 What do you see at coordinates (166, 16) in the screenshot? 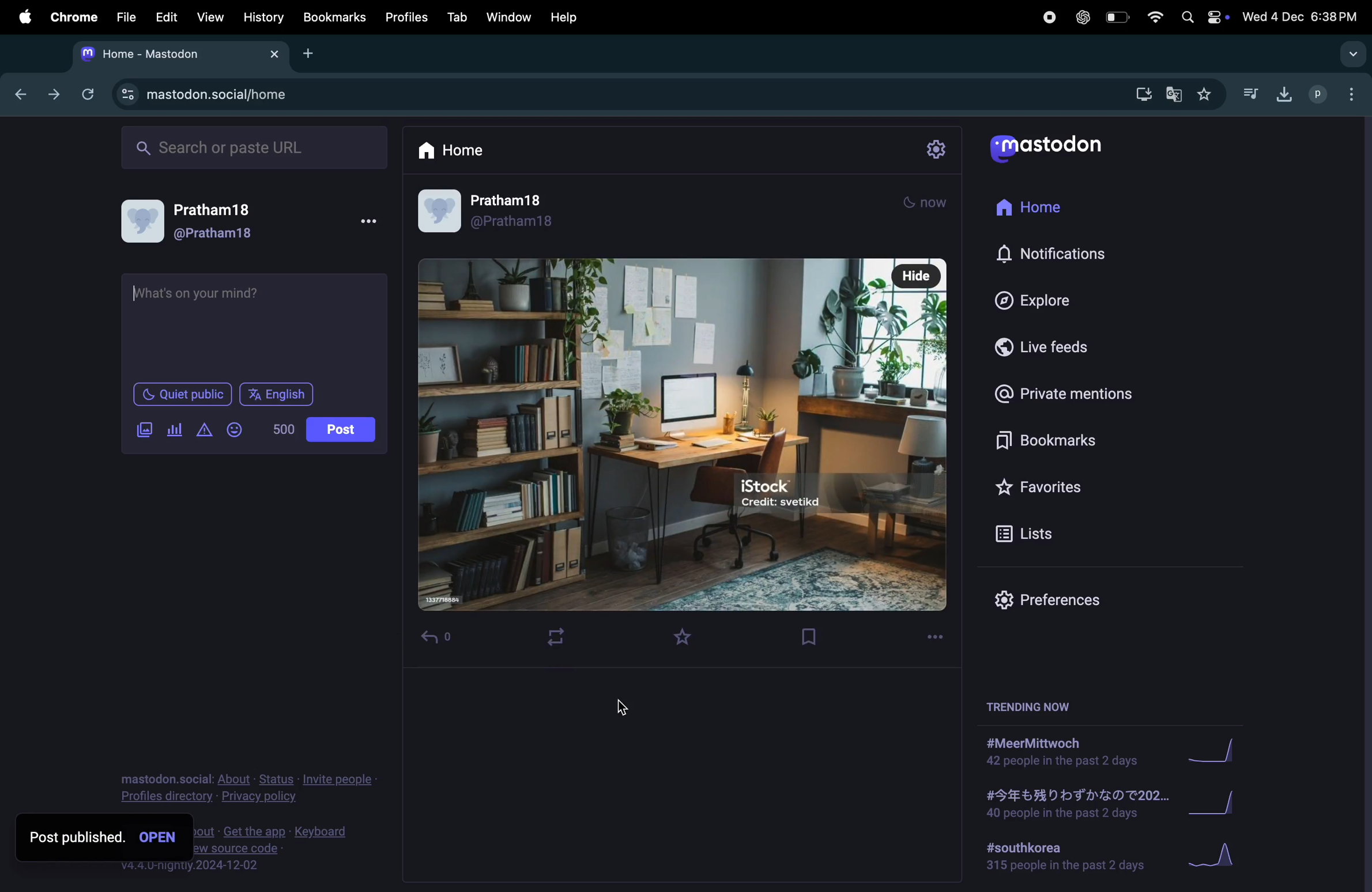
I see `edit` at bounding box center [166, 16].